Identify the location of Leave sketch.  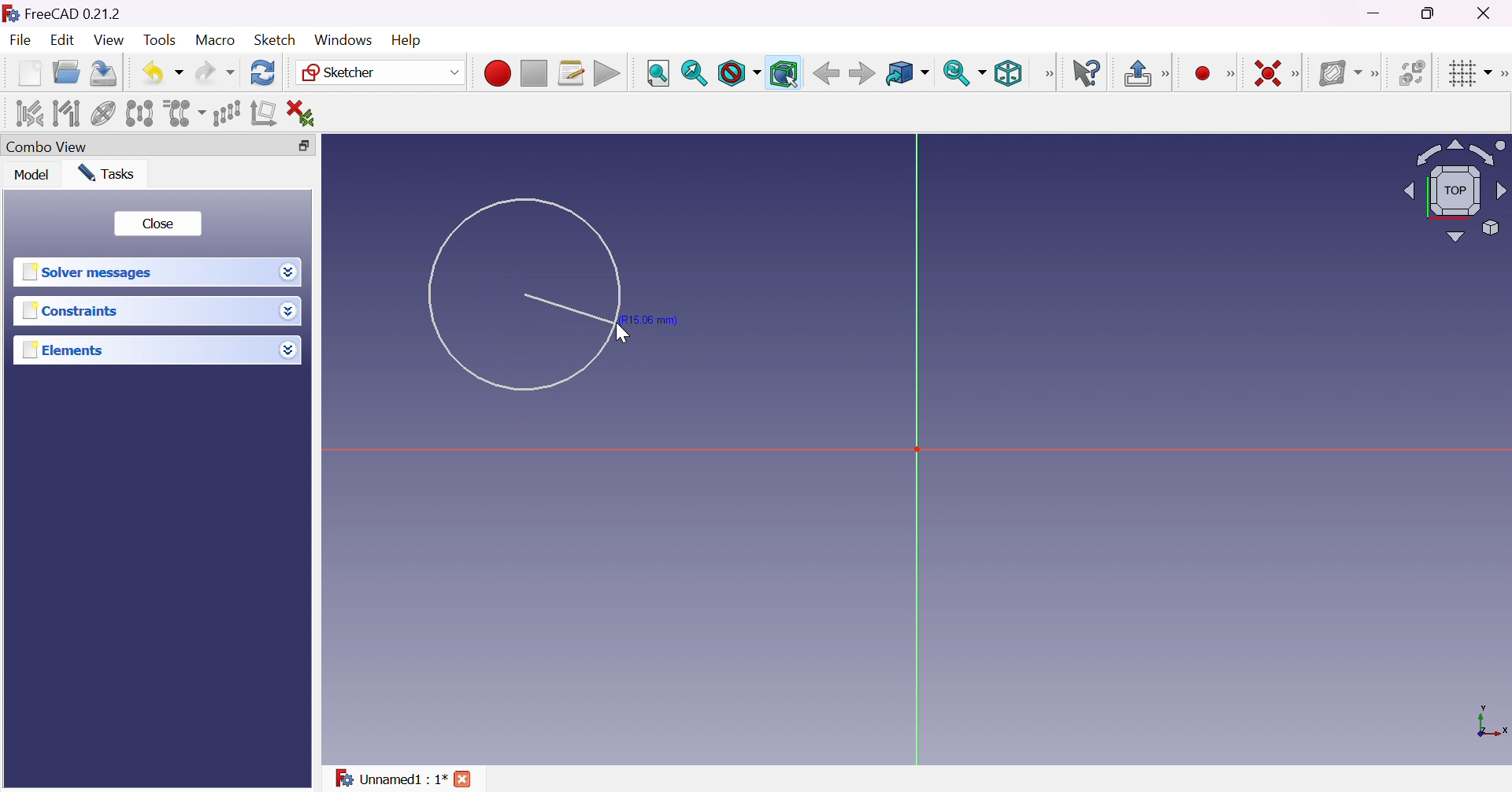
(1147, 73).